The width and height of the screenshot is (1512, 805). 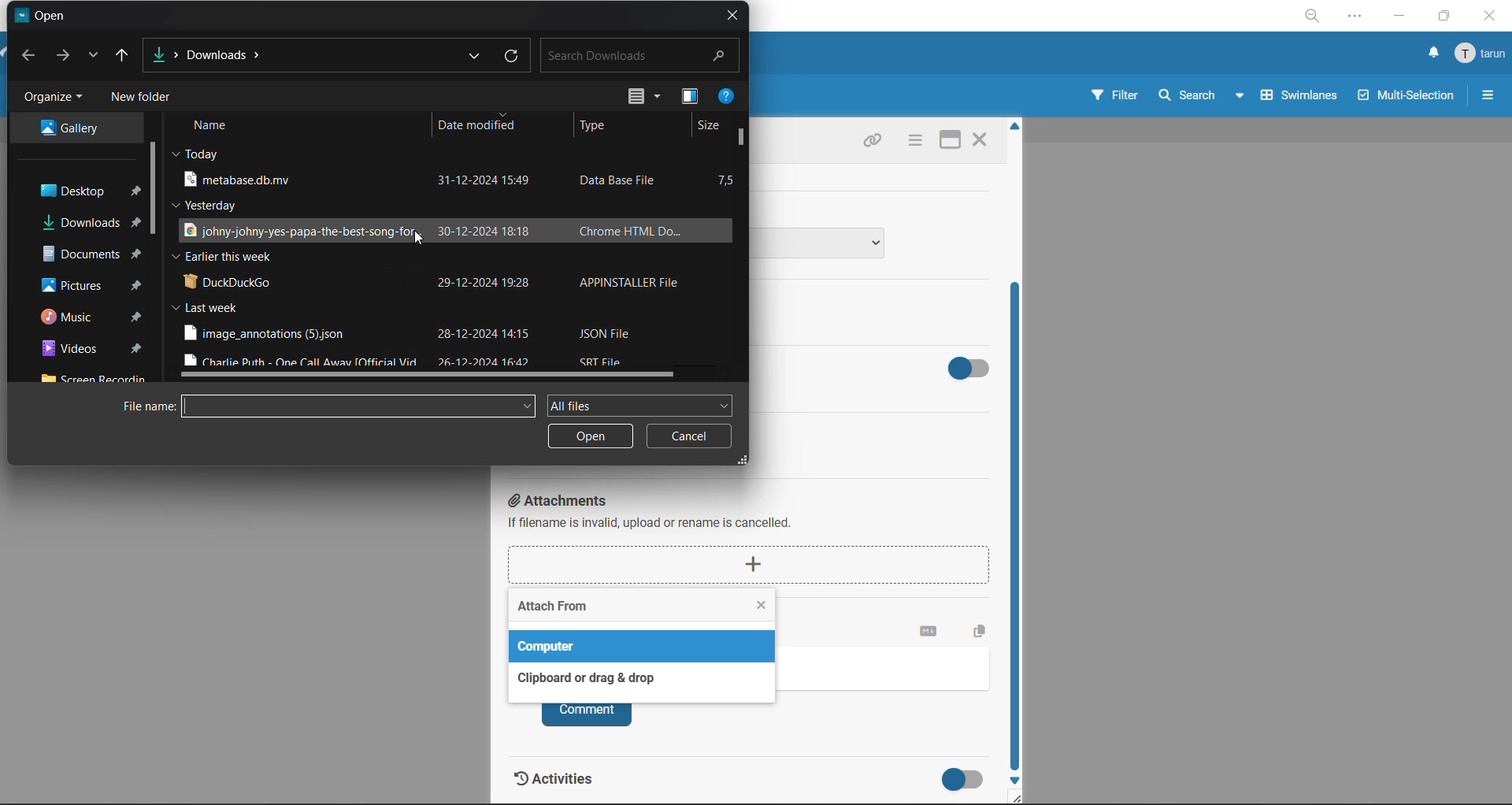 I want to click on markdown, so click(x=929, y=632).